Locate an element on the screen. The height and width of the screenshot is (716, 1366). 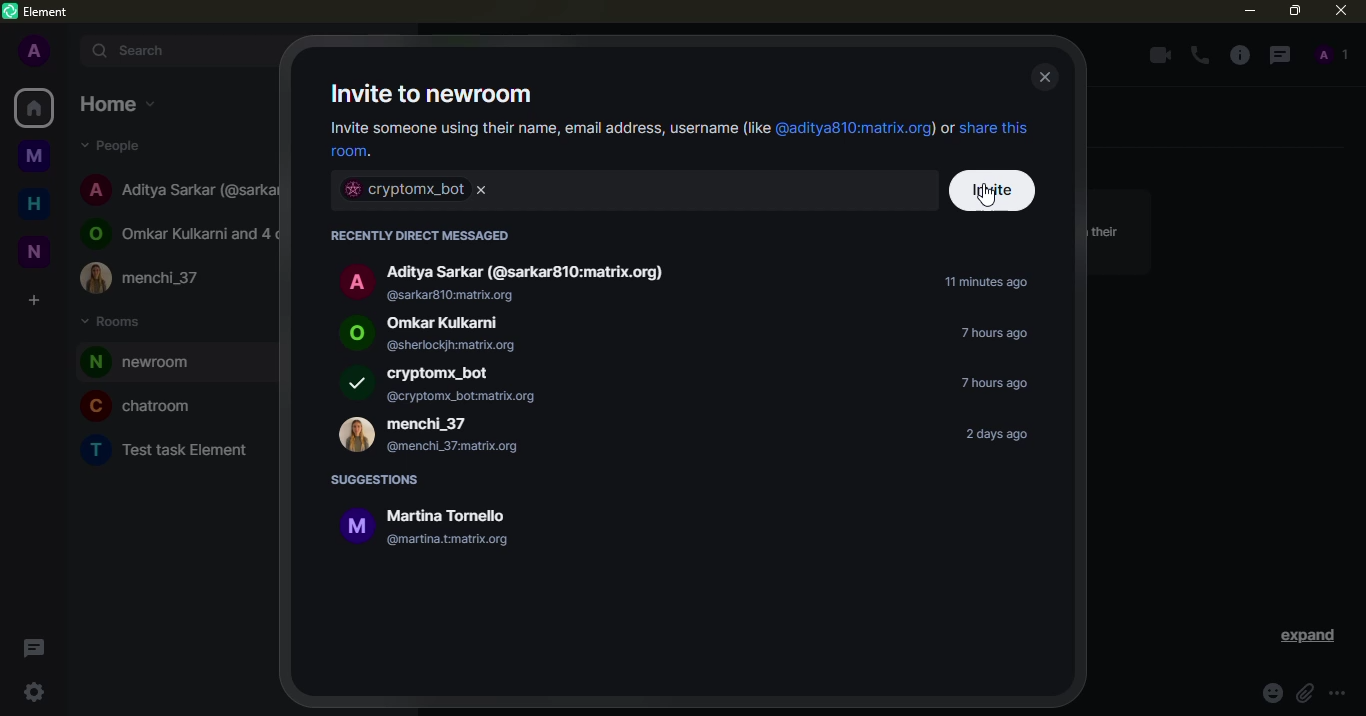
info is located at coordinates (1239, 56).